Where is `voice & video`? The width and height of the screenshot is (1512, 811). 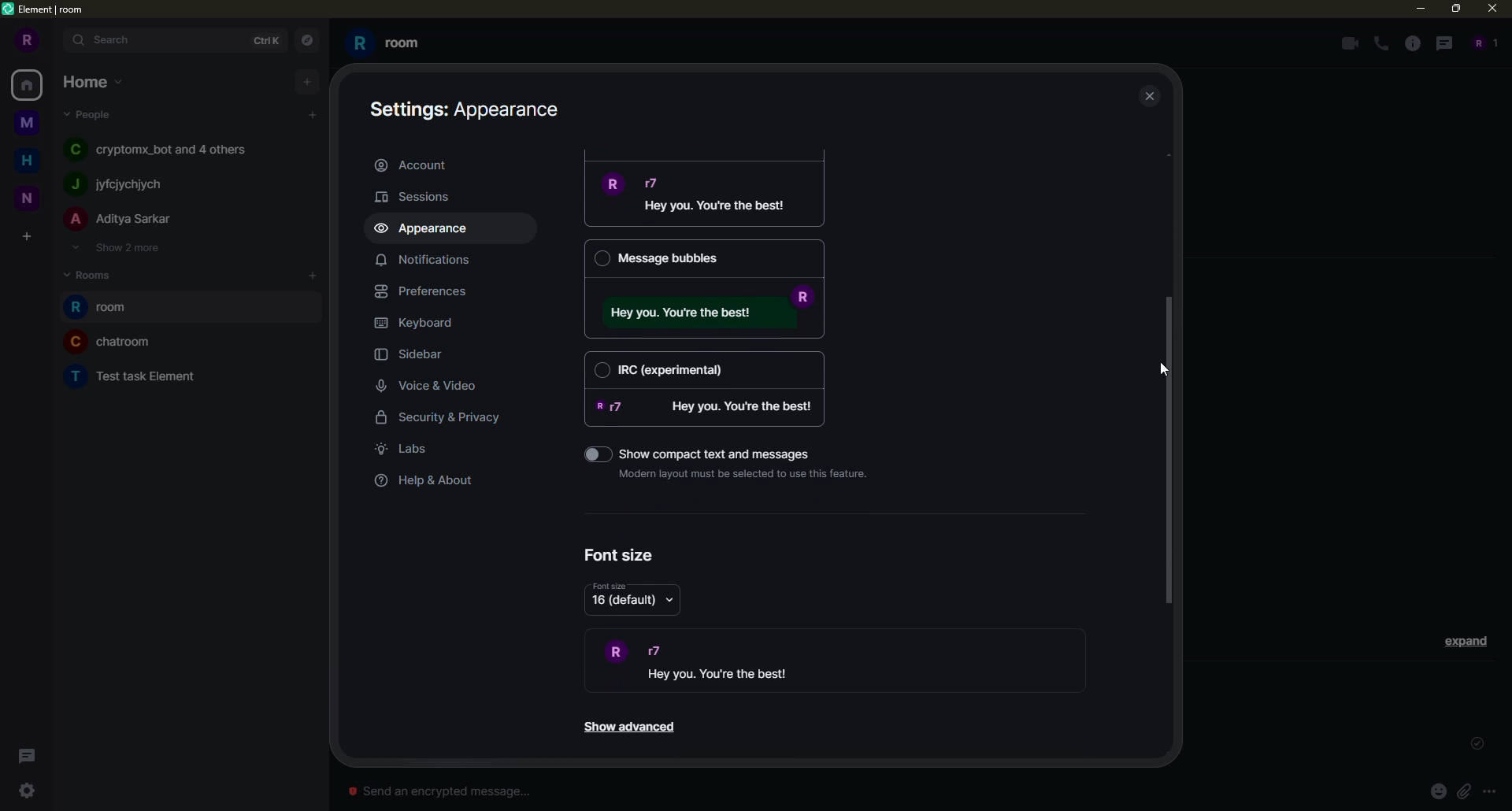 voice & video is located at coordinates (432, 387).